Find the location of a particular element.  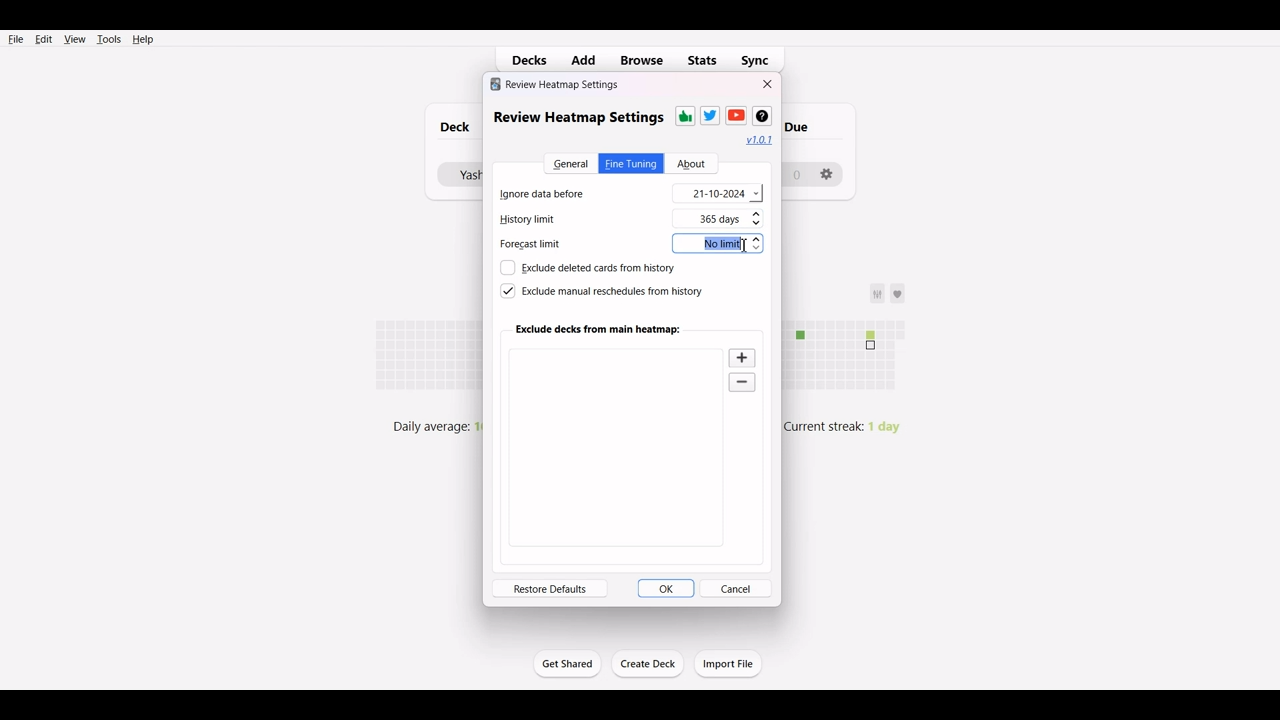

Twitter is located at coordinates (710, 115).